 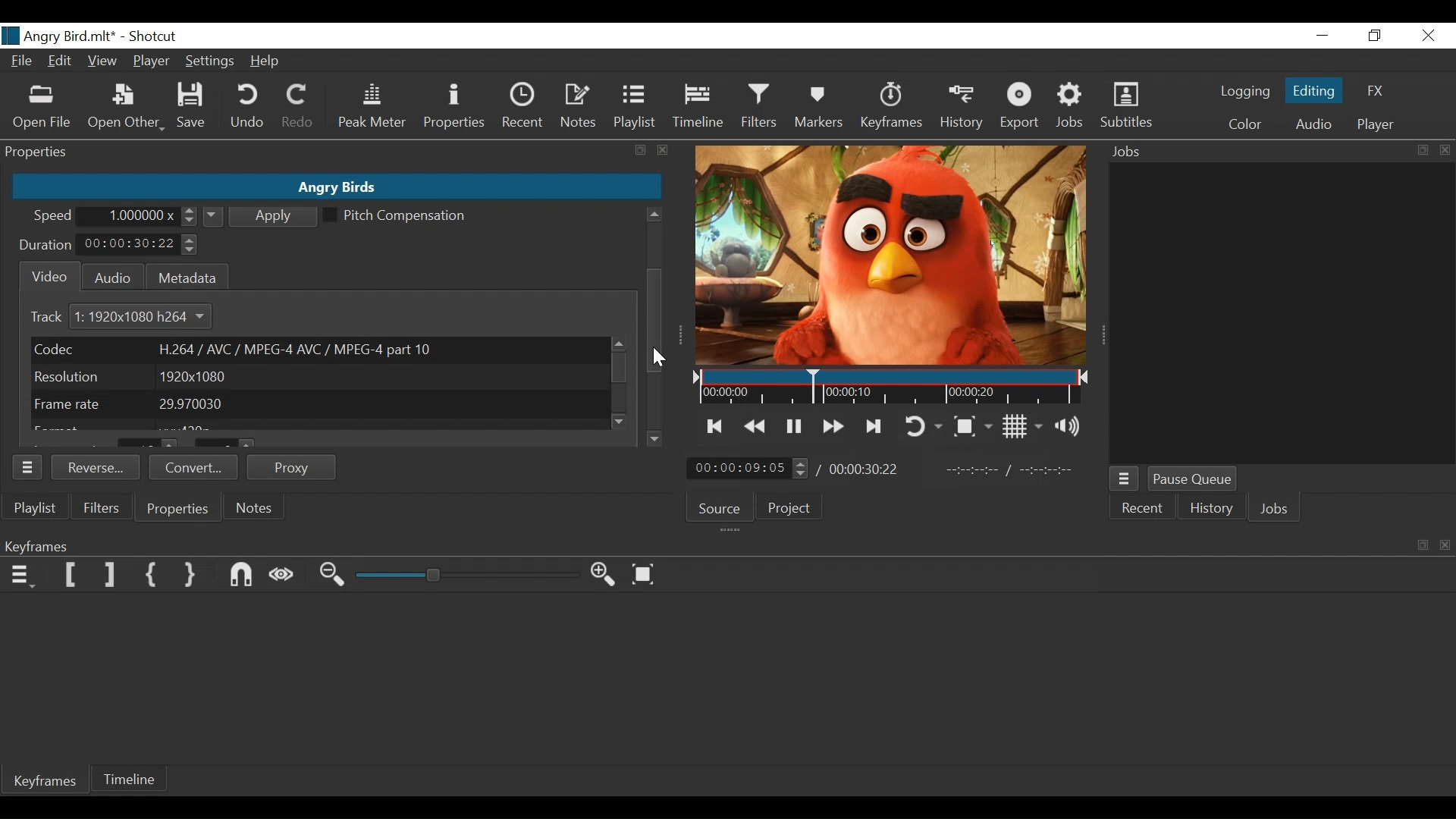 What do you see at coordinates (1376, 124) in the screenshot?
I see `Player` at bounding box center [1376, 124].